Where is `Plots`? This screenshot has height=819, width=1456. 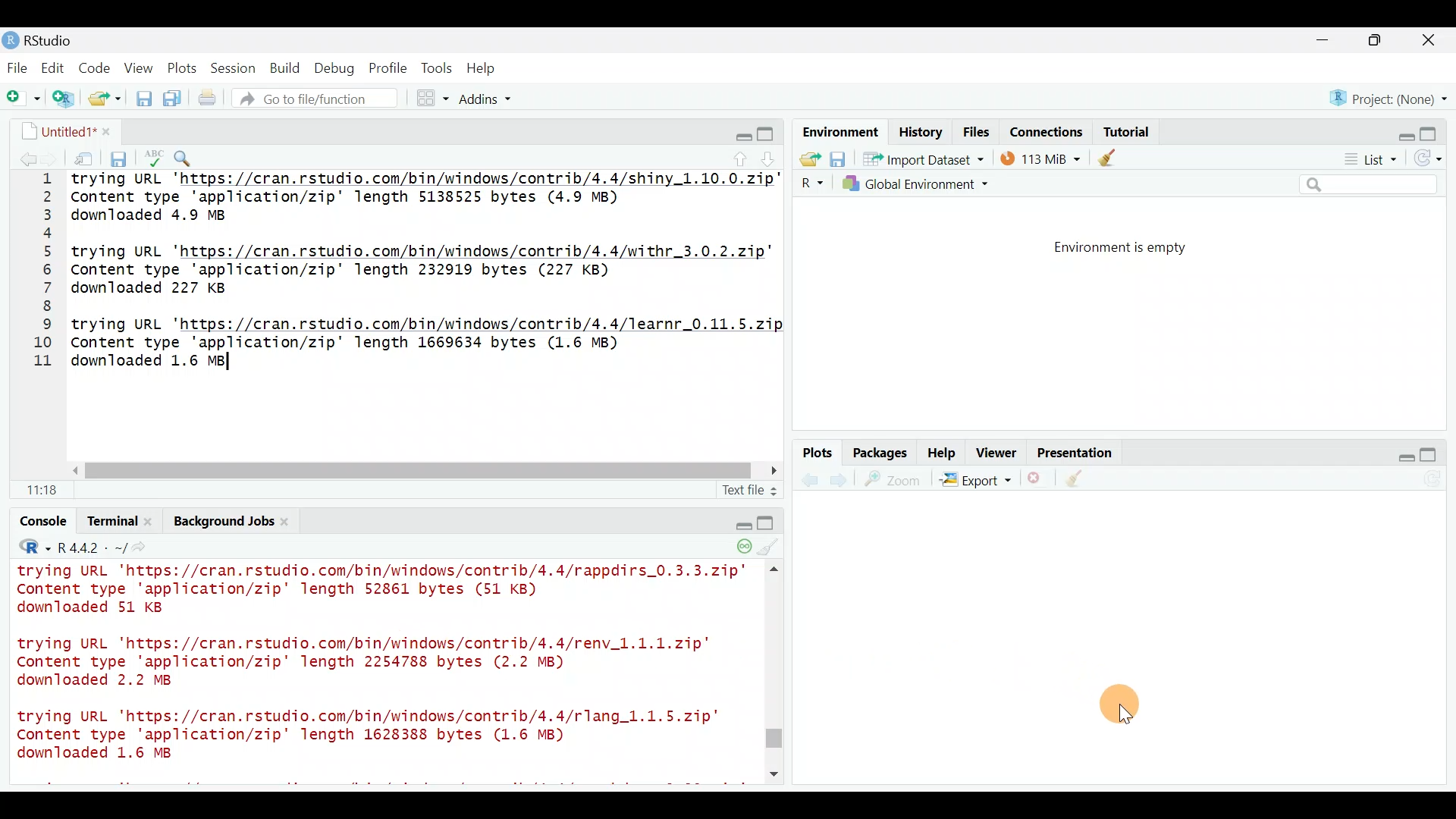
Plots is located at coordinates (183, 65).